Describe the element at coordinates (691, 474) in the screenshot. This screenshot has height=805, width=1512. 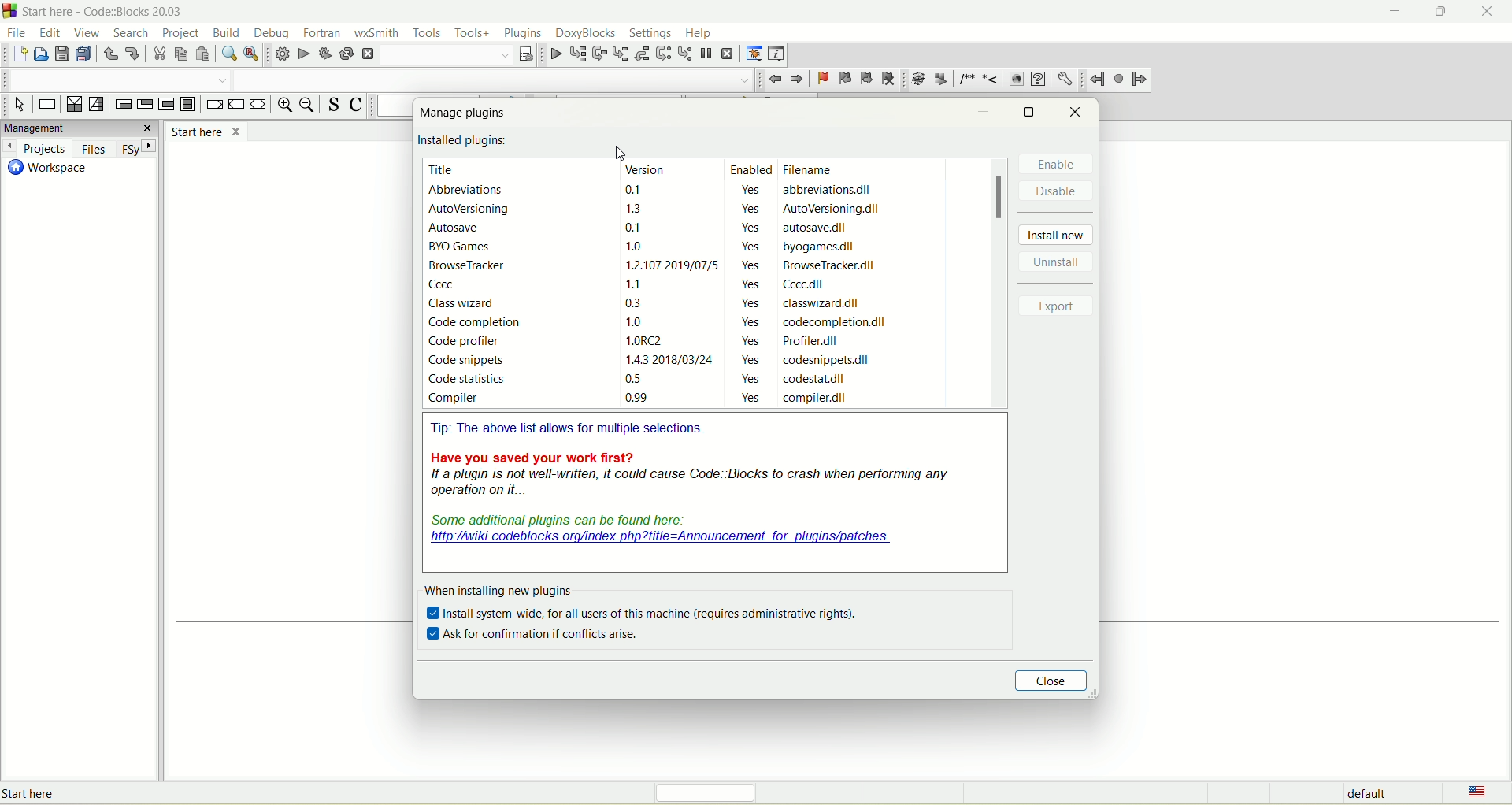
I see `Have you saved your work first?
If a plugin is not well-written, it could cause Code: Blocks to crash when performing any
operation on it.` at that location.